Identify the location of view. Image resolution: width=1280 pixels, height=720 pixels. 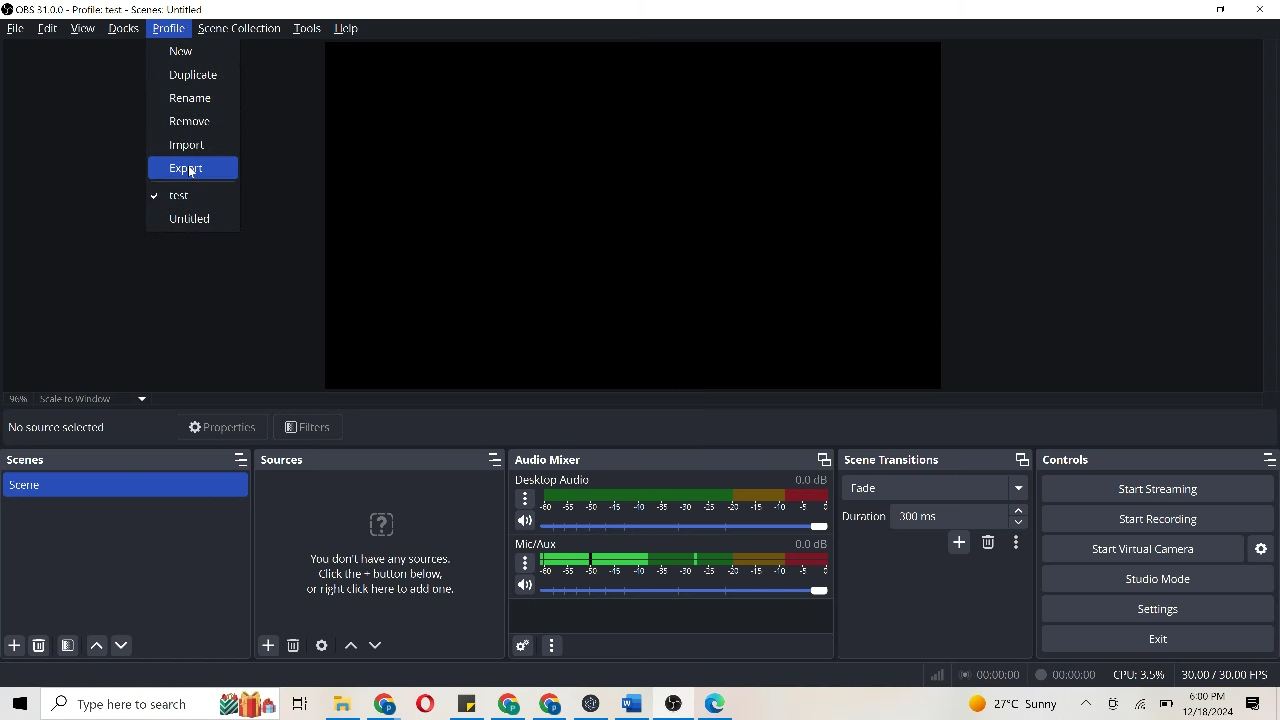
(80, 29).